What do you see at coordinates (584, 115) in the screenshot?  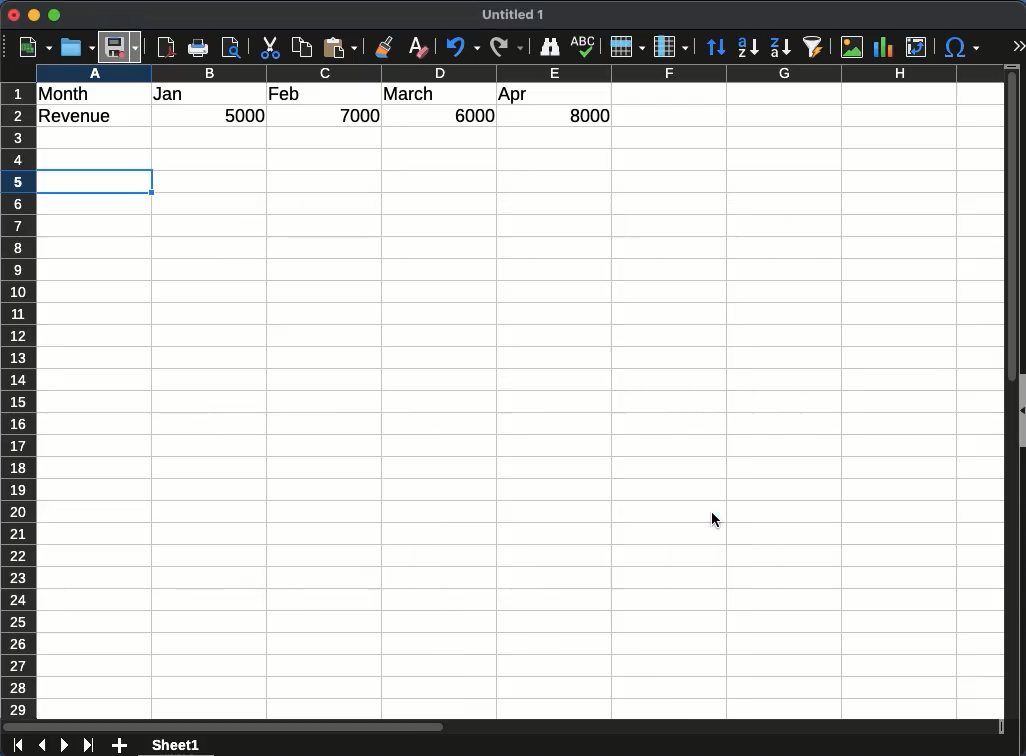 I see `8000` at bounding box center [584, 115].